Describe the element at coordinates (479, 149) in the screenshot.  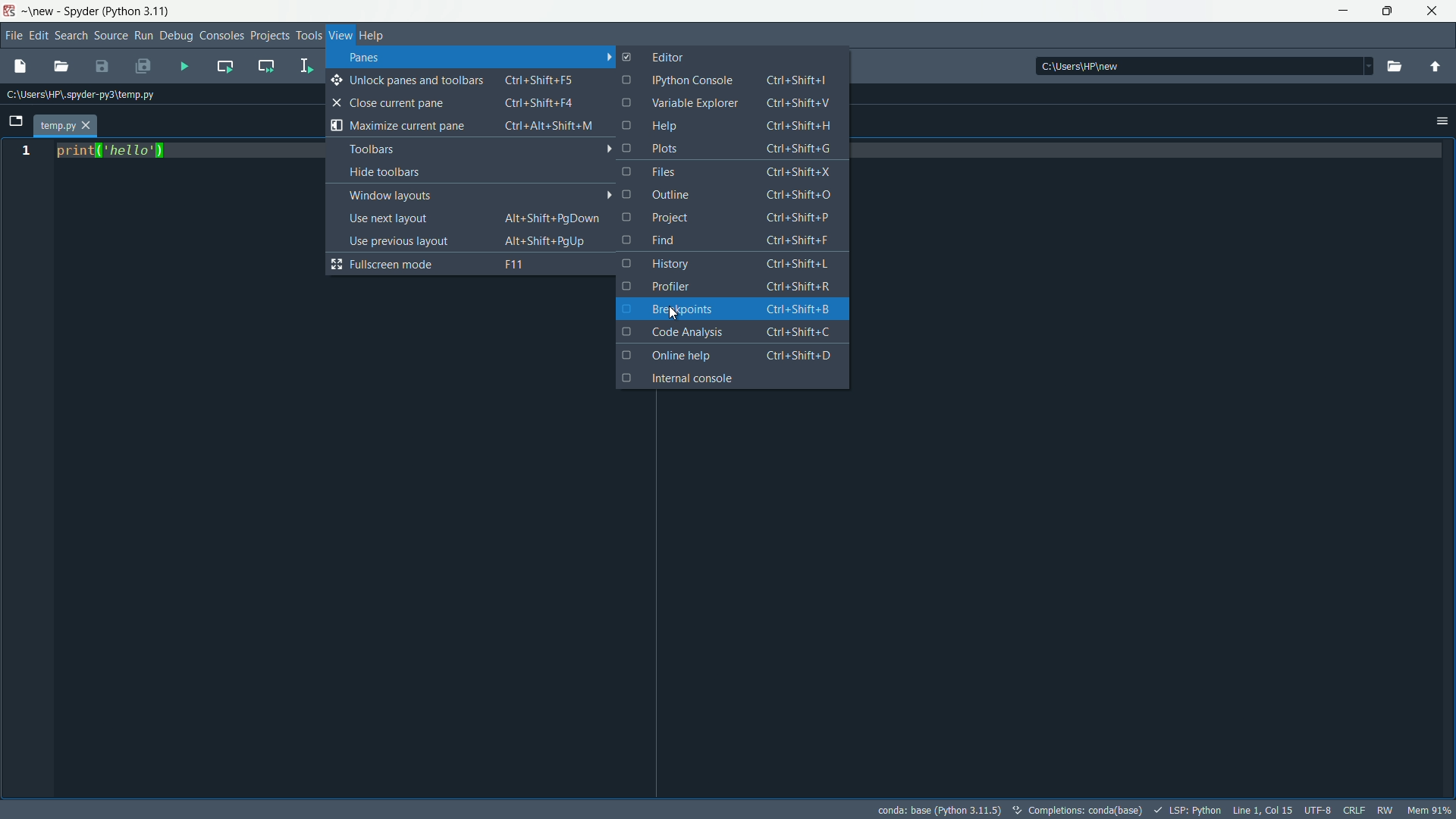
I see `toolbars` at that location.